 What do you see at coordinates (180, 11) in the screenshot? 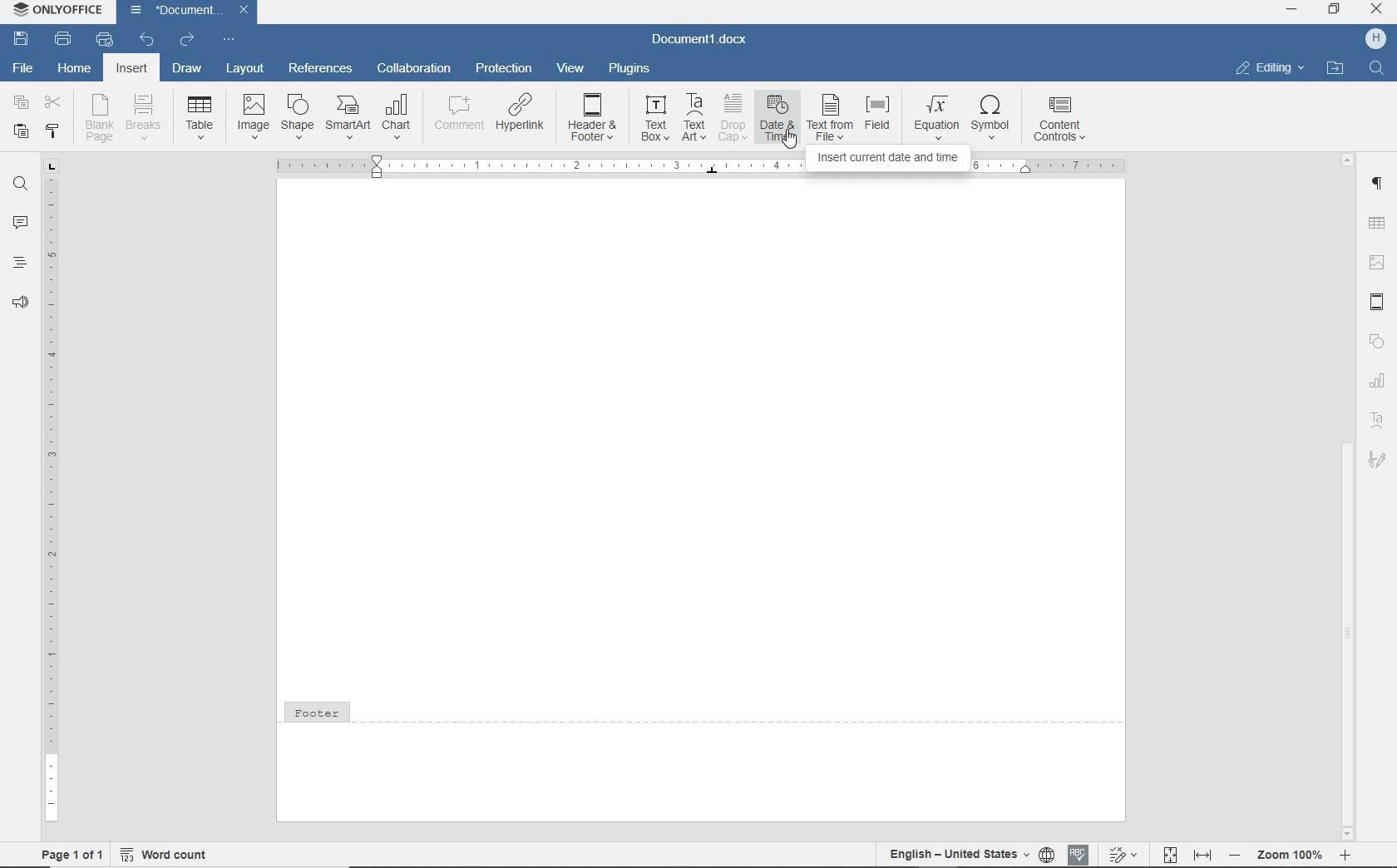
I see `document name` at bounding box center [180, 11].